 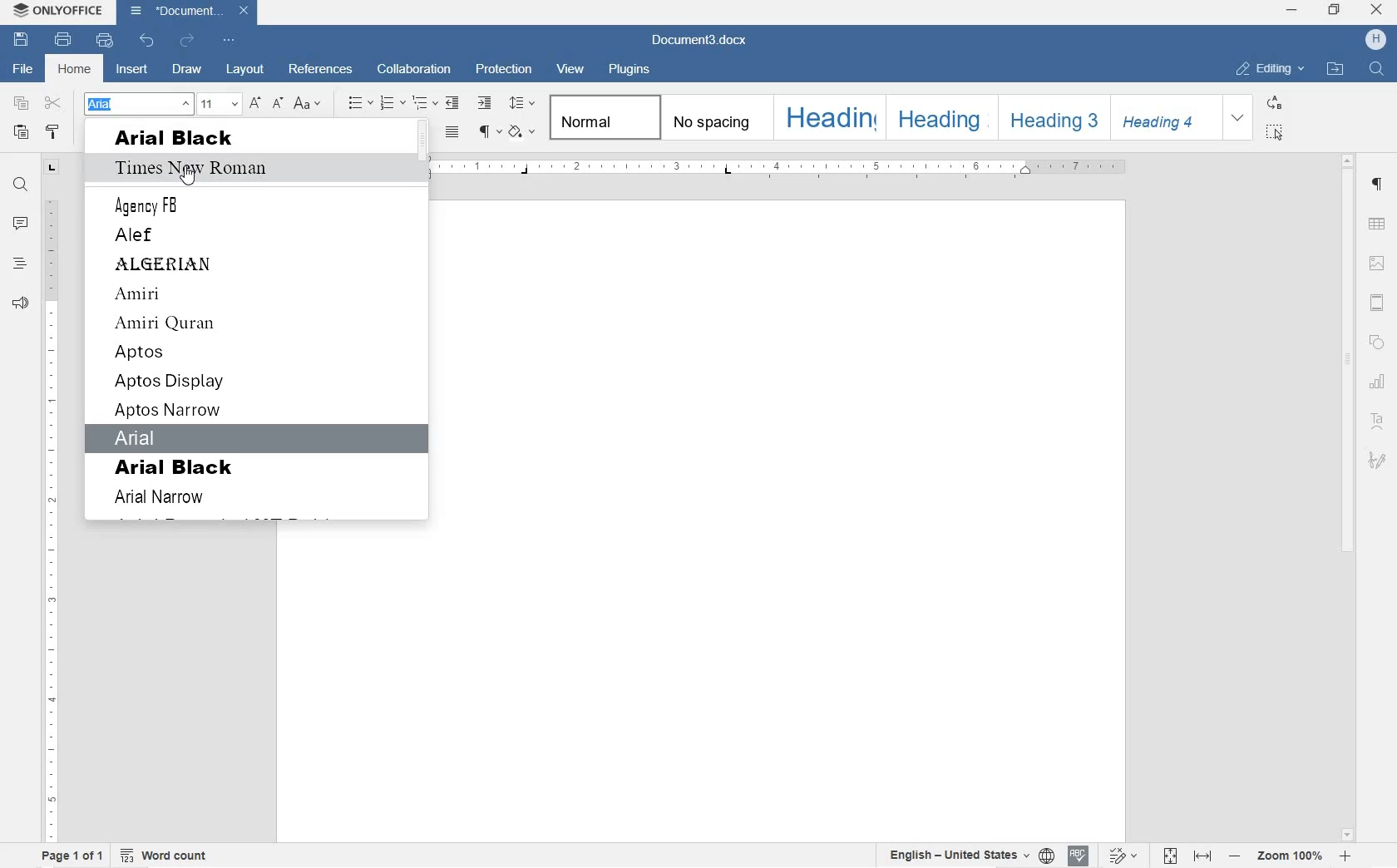 I want to click on HP, so click(x=1374, y=40).